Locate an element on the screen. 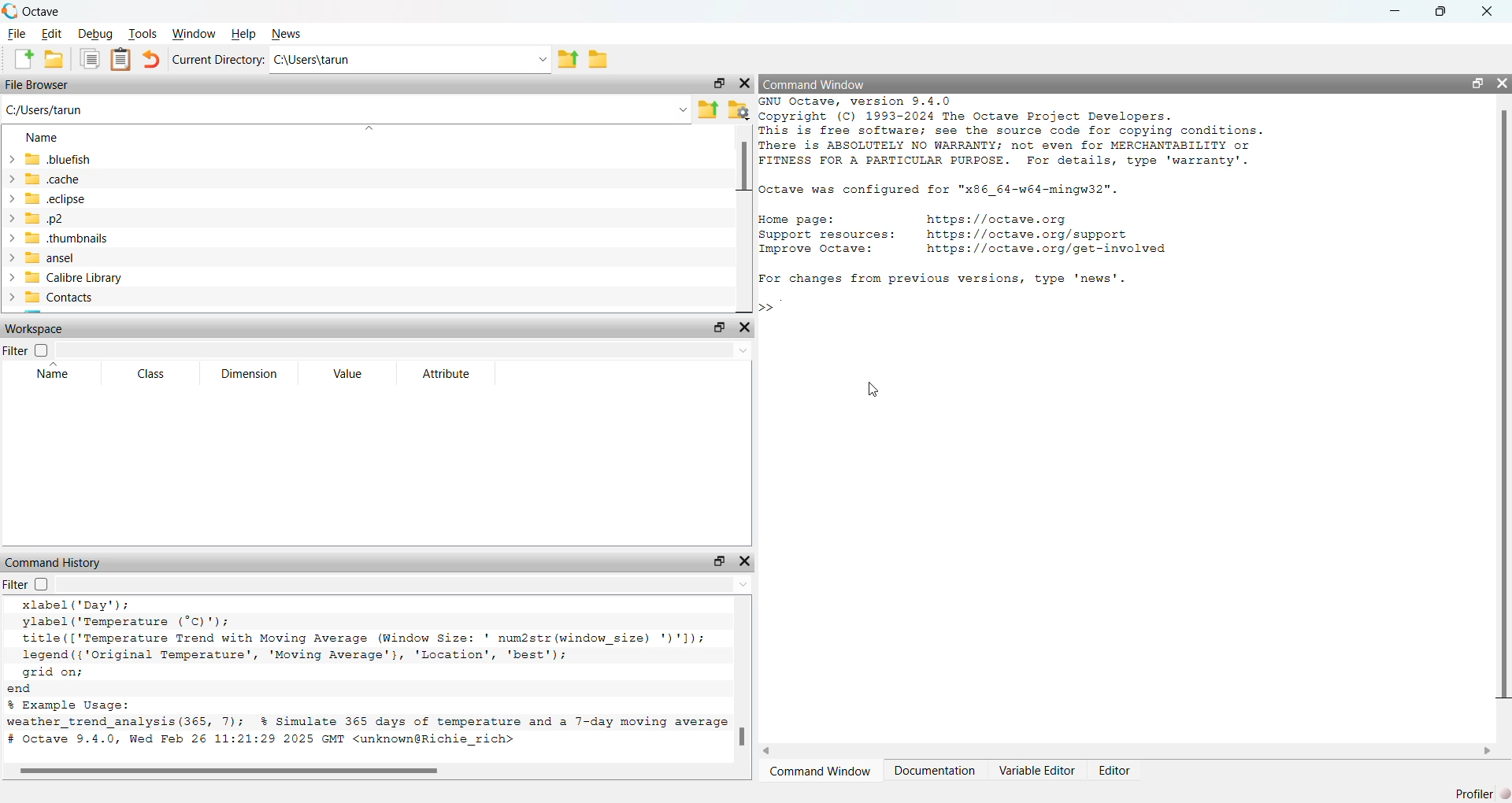 Image resolution: width=1512 pixels, height=803 pixels. Dimension is located at coordinates (250, 375).